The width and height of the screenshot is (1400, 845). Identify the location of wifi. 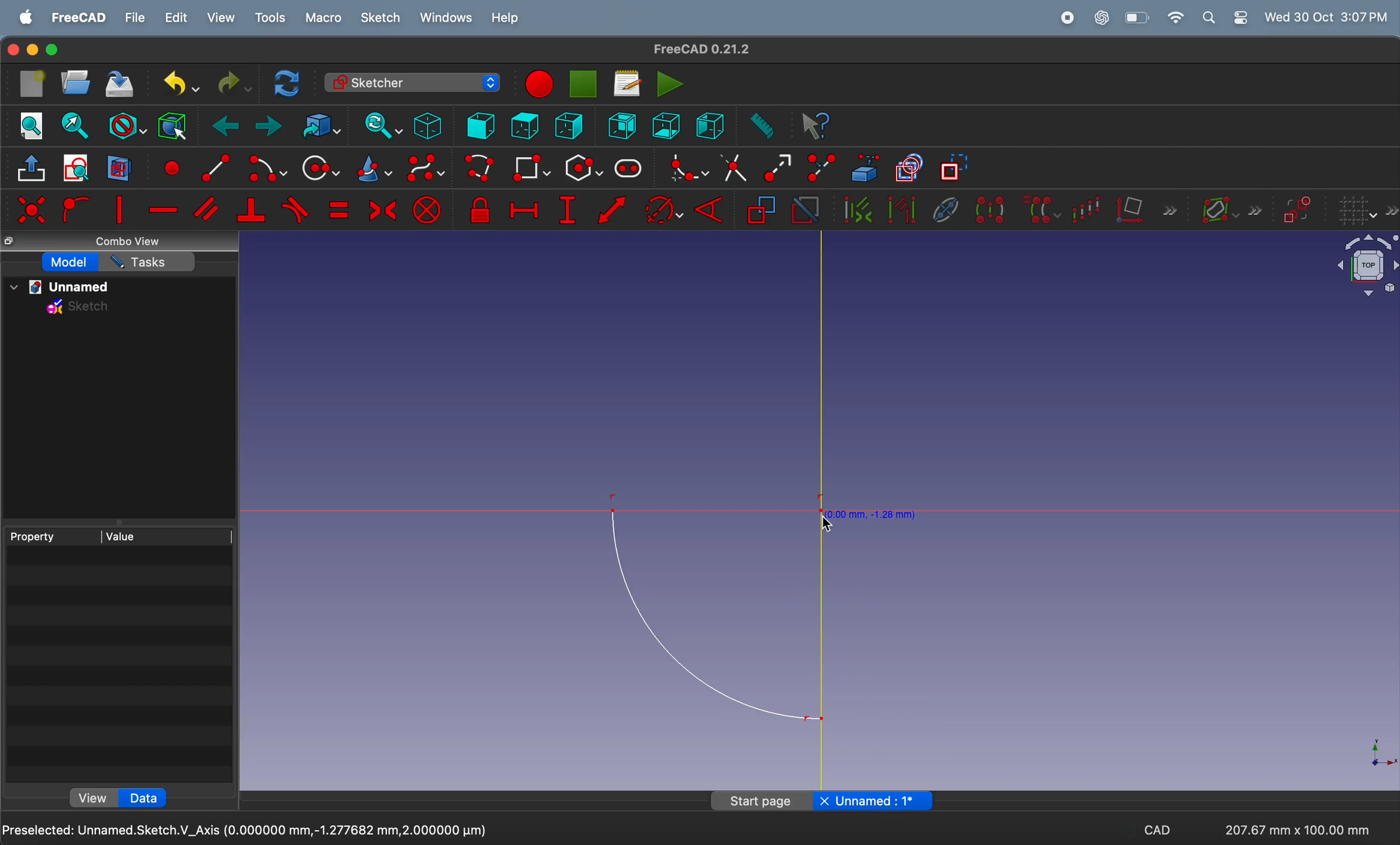
(1176, 18).